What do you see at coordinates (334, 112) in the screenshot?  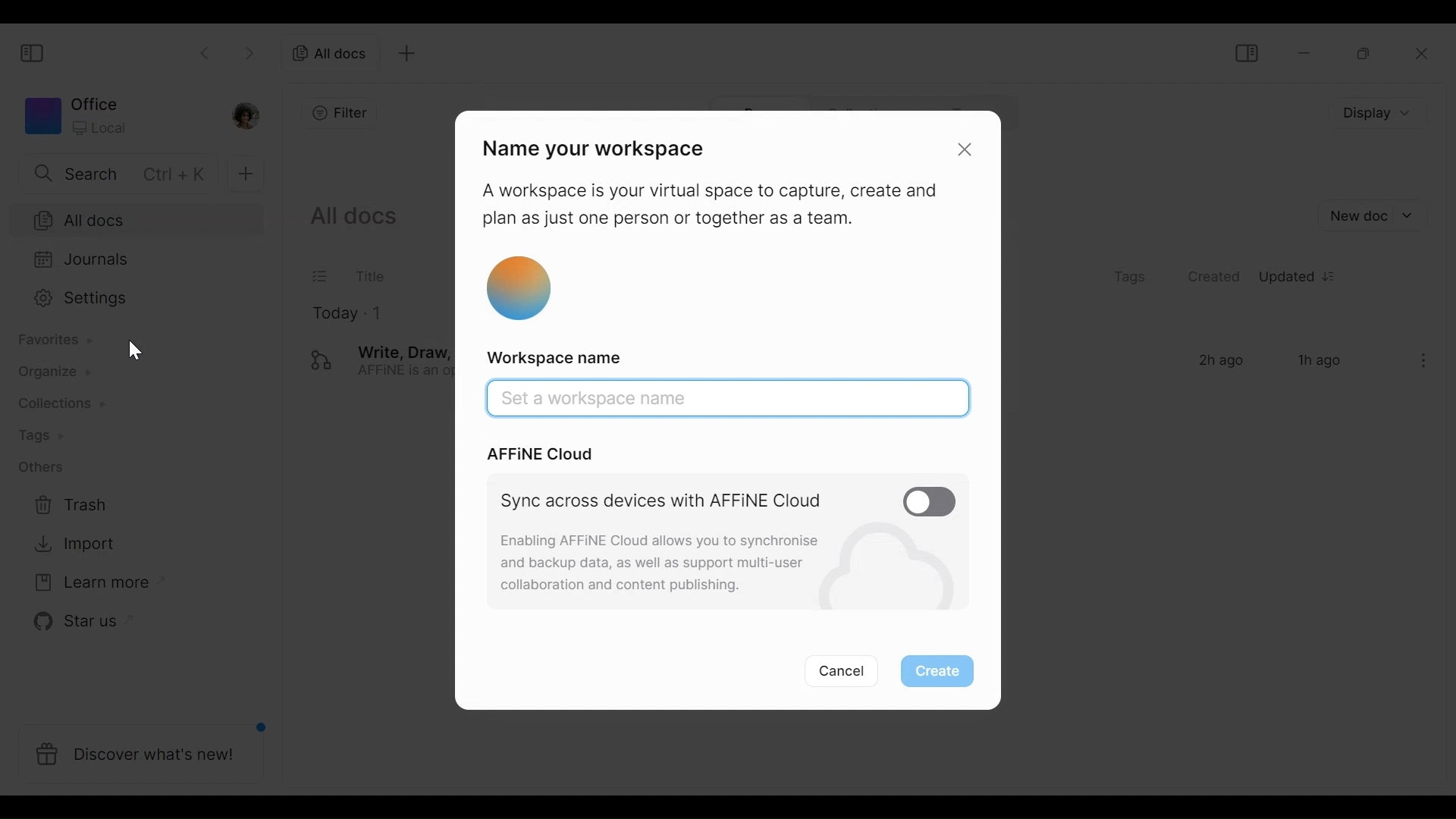 I see `Add filter` at bounding box center [334, 112].